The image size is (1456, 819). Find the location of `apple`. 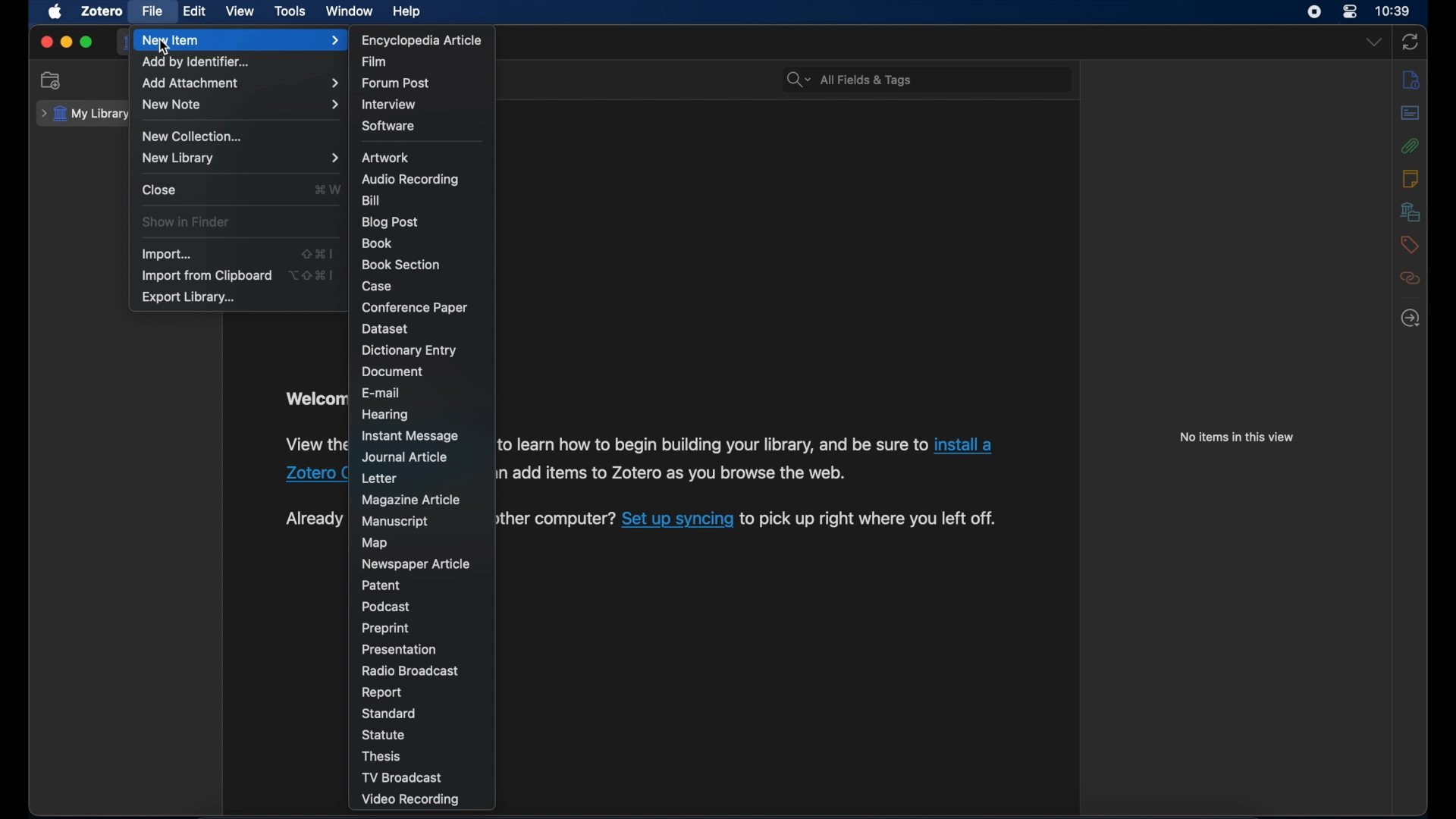

apple is located at coordinates (55, 12).